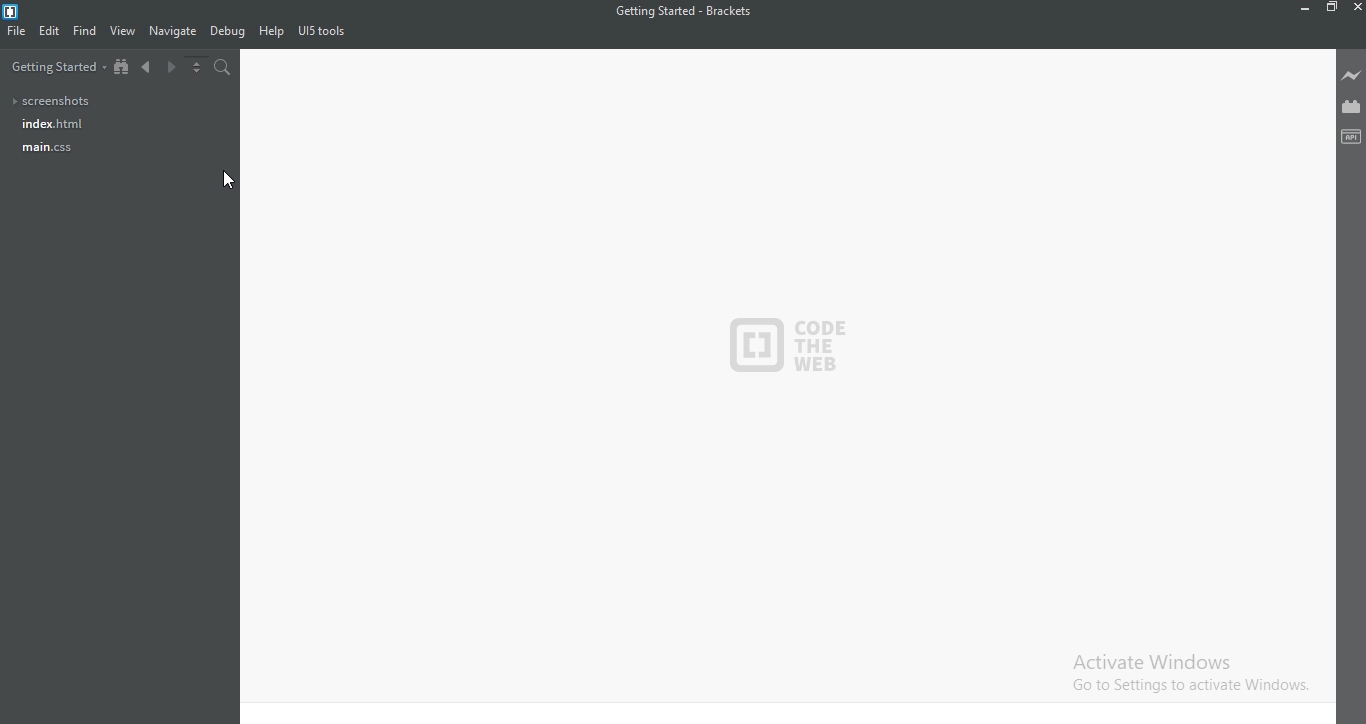  Describe the element at coordinates (50, 33) in the screenshot. I see `Edit` at that location.